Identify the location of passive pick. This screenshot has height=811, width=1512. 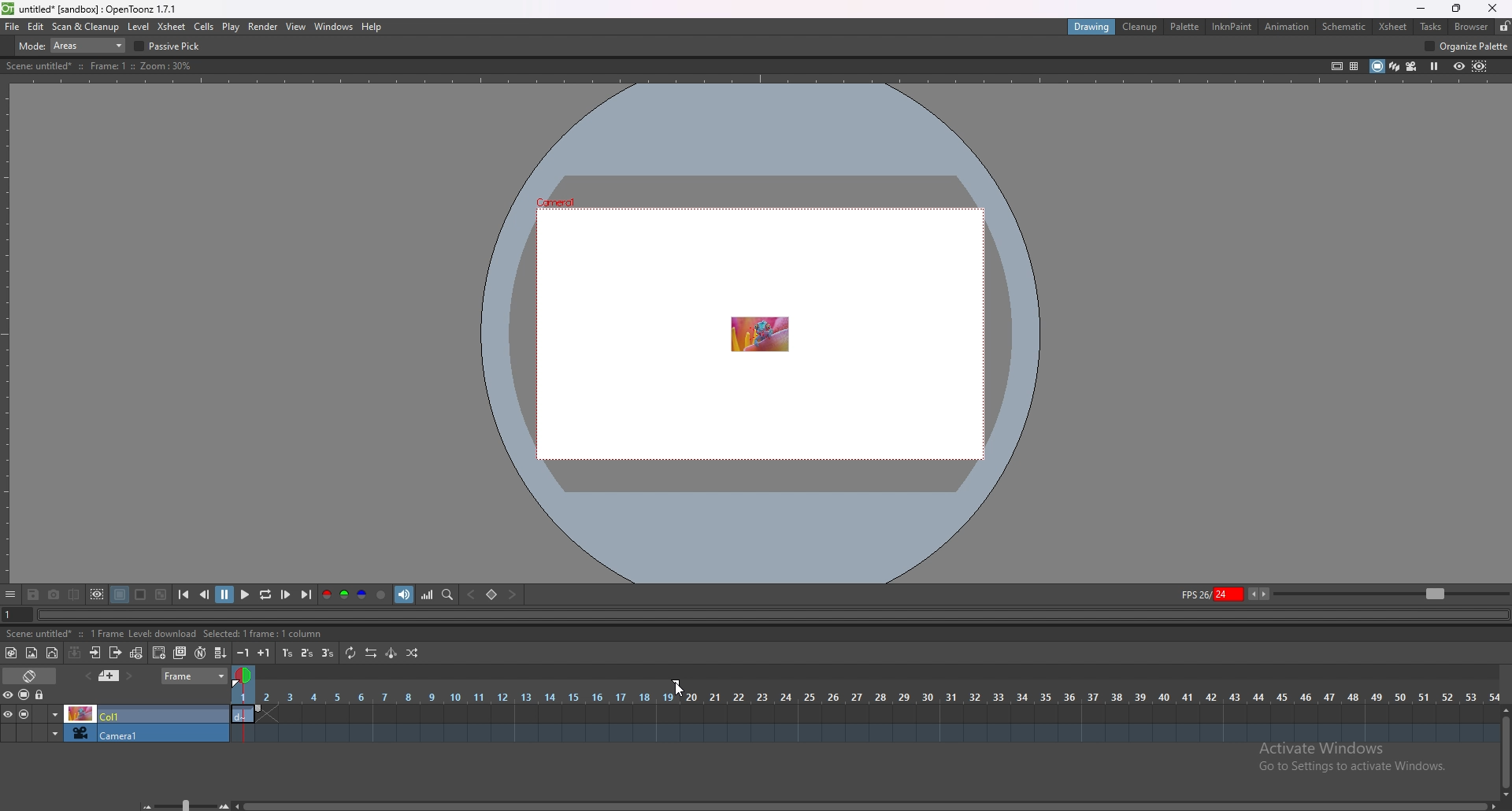
(170, 46).